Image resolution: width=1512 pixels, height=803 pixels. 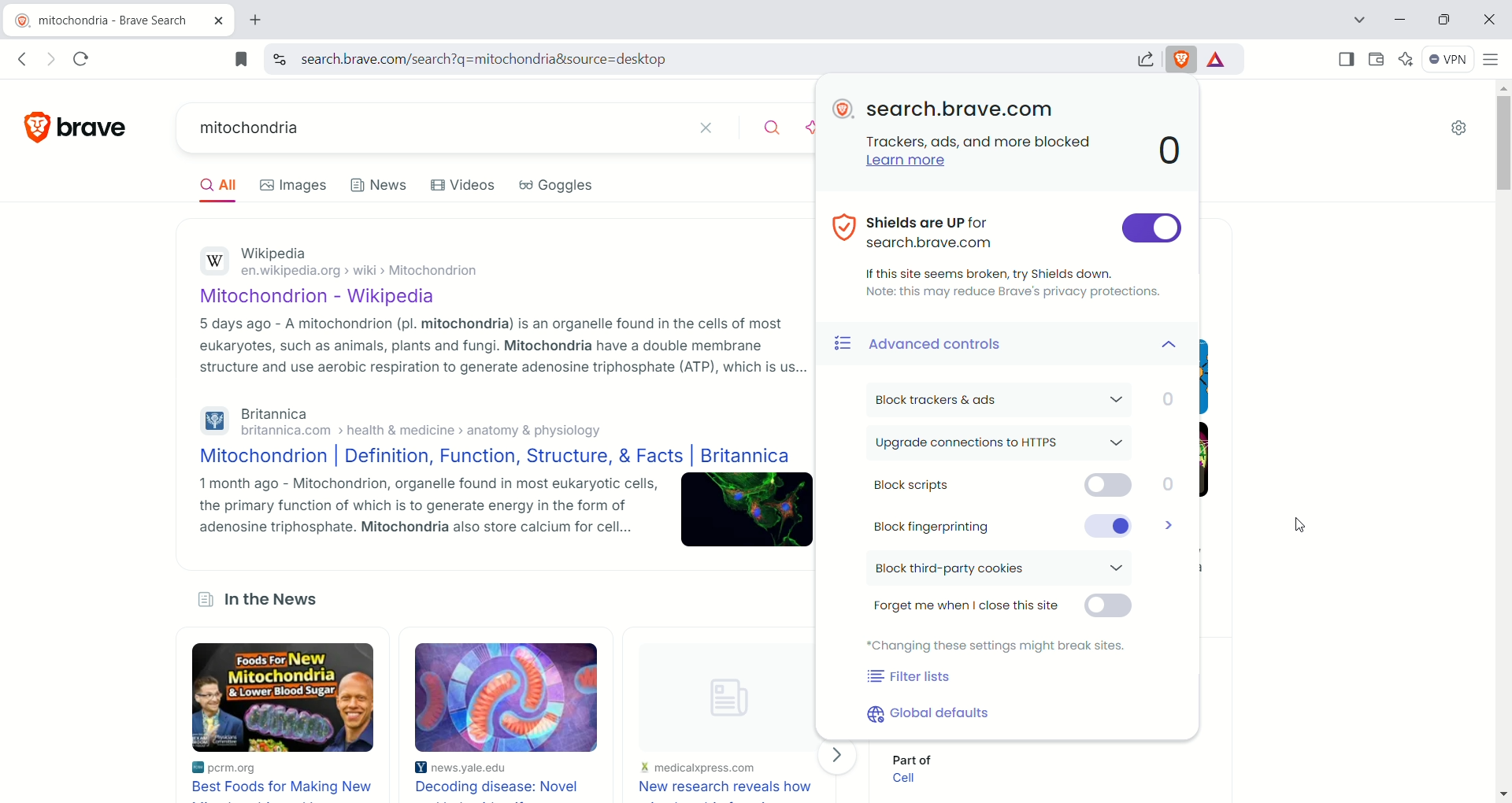 I want to click on If this site seems broken, try shields down. Note: this may reduce Brave's privacy protections., so click(x=1014, y=281).